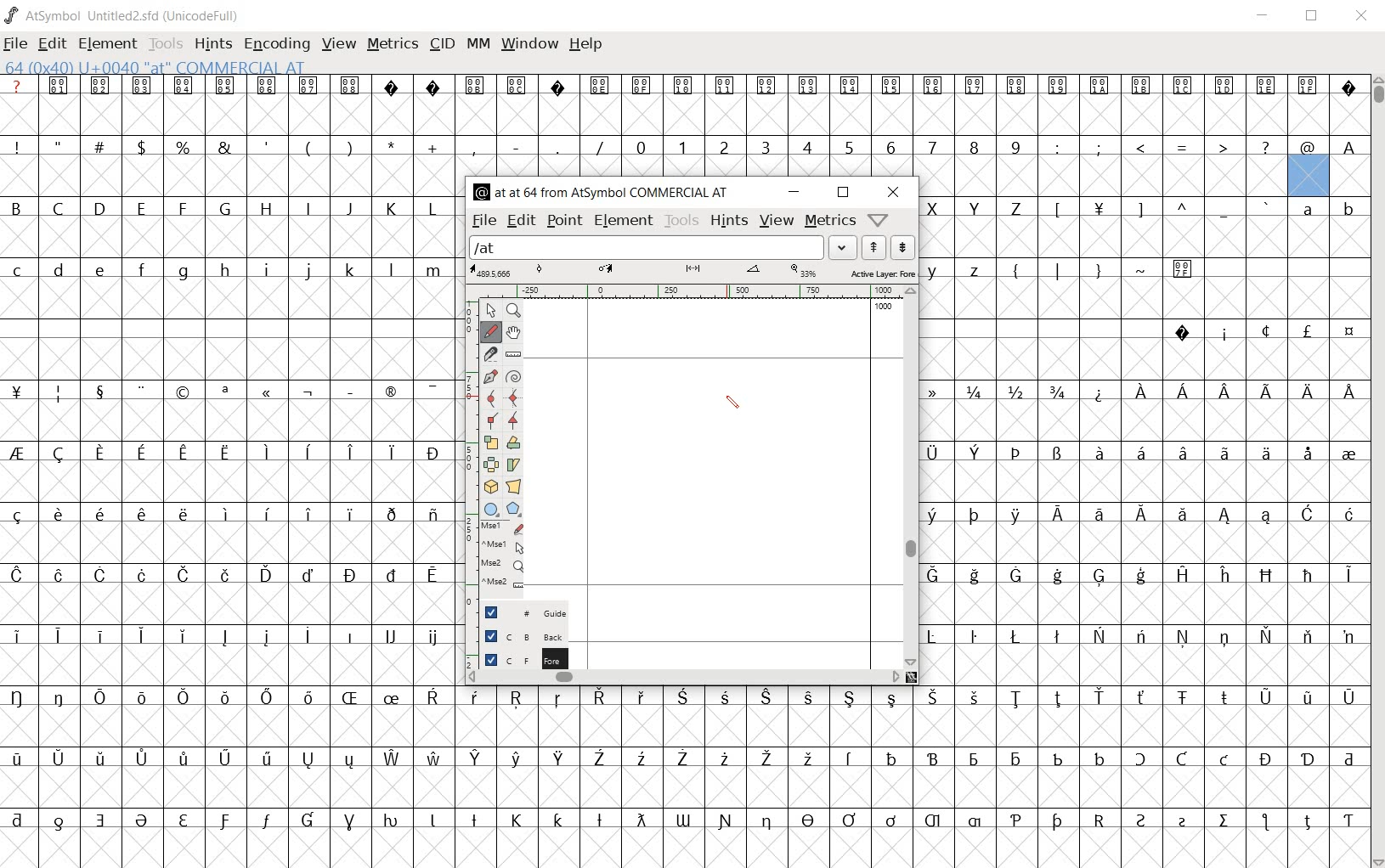 The image size is (1385, 868). I want to click on checkbox, so click(491, 635).